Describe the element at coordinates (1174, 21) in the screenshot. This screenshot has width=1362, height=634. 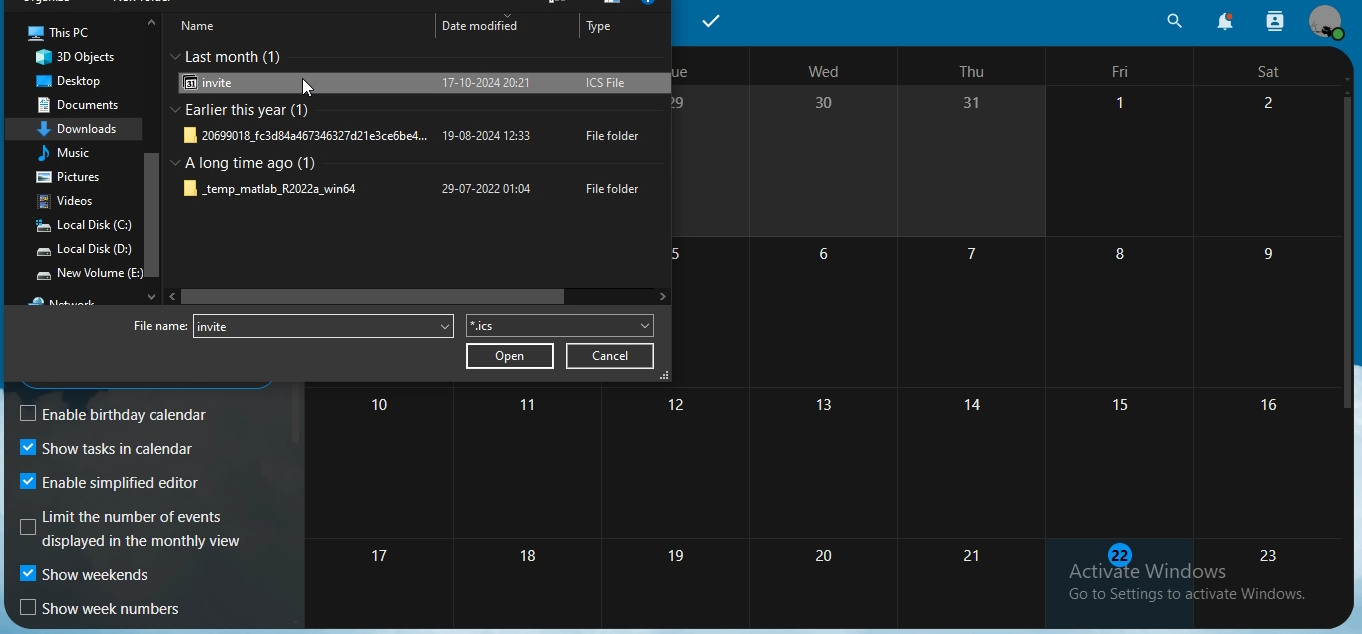
I see `search` at that location.